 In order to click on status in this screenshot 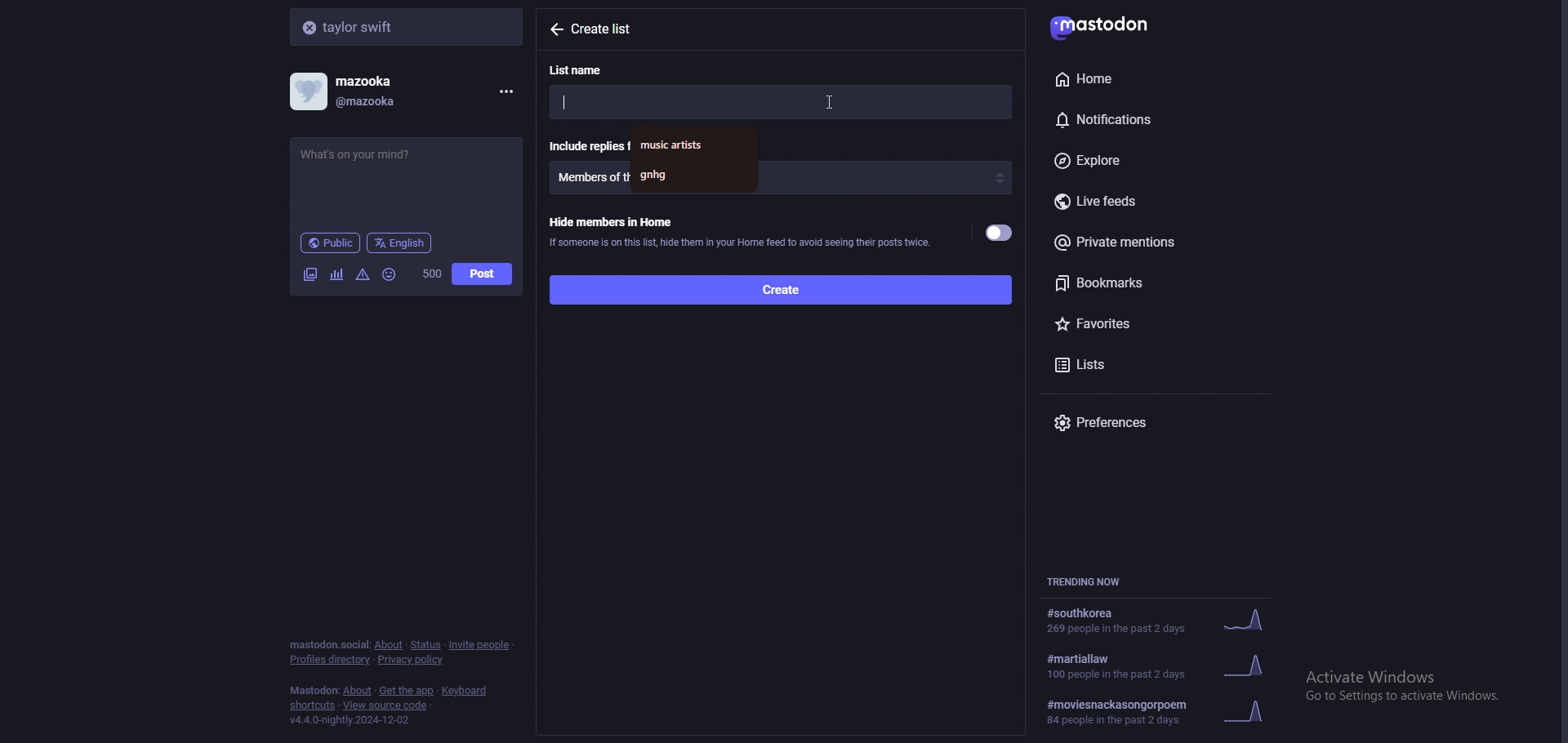, I will do `click(425, 645)`.